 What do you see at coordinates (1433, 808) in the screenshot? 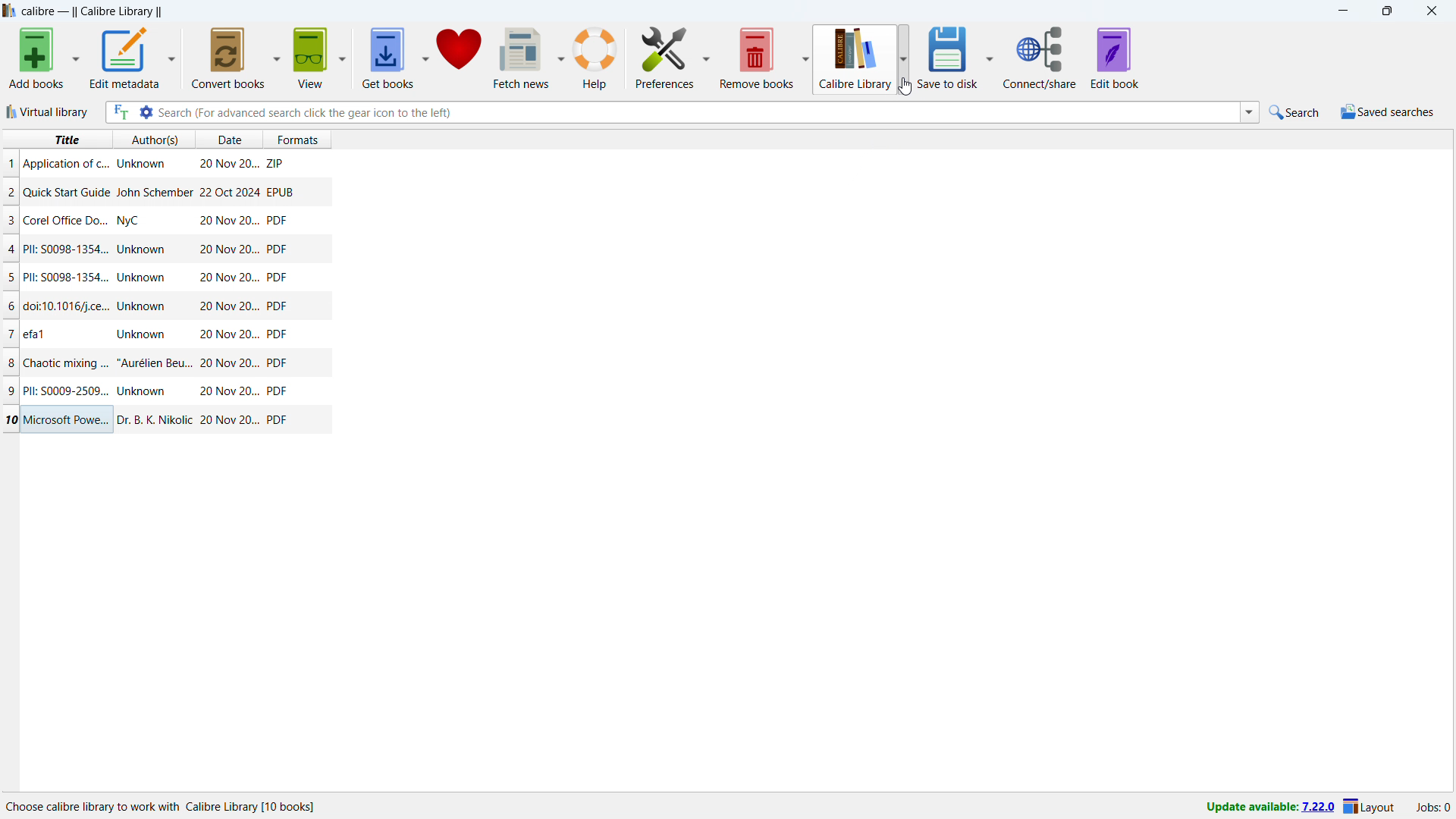
I see `active jobs` at bounding box center [1433, 808].